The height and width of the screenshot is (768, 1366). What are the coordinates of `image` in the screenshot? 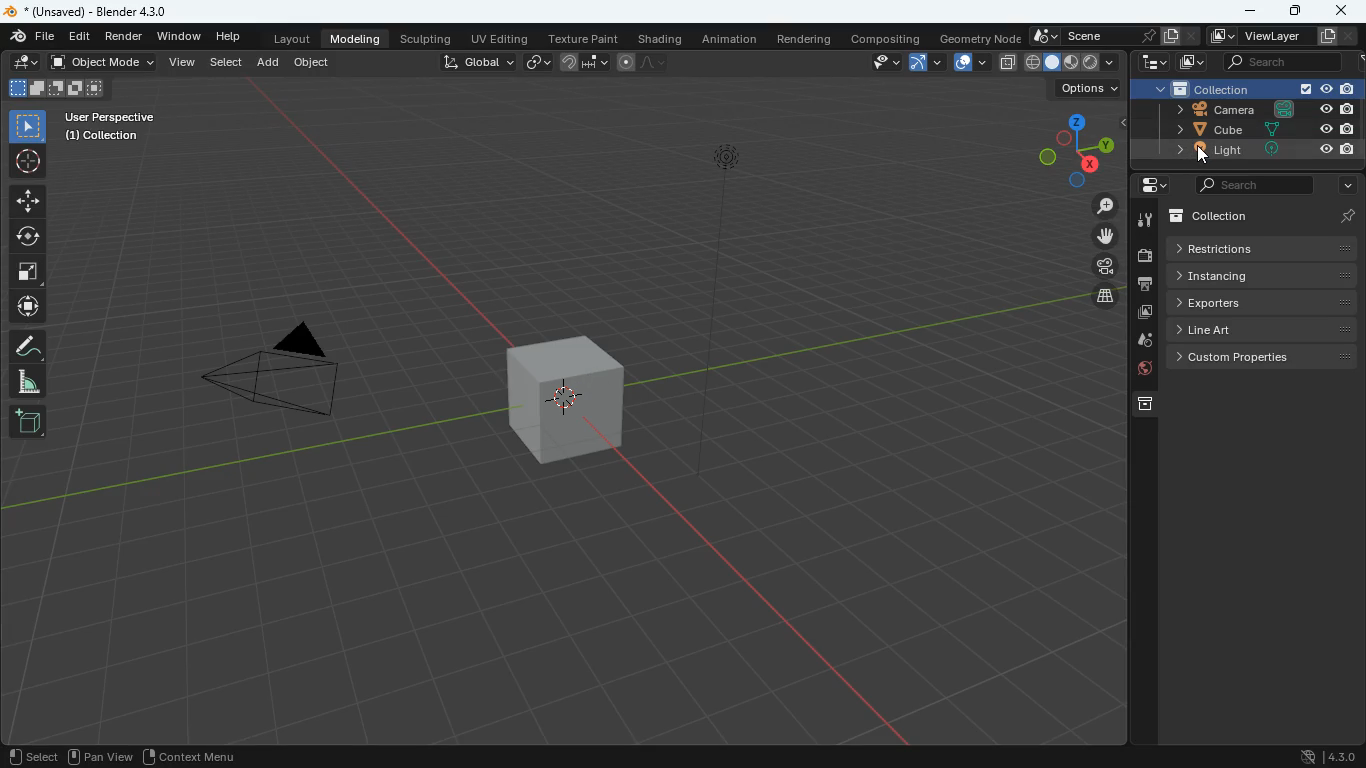 It's located at (1144, 313).